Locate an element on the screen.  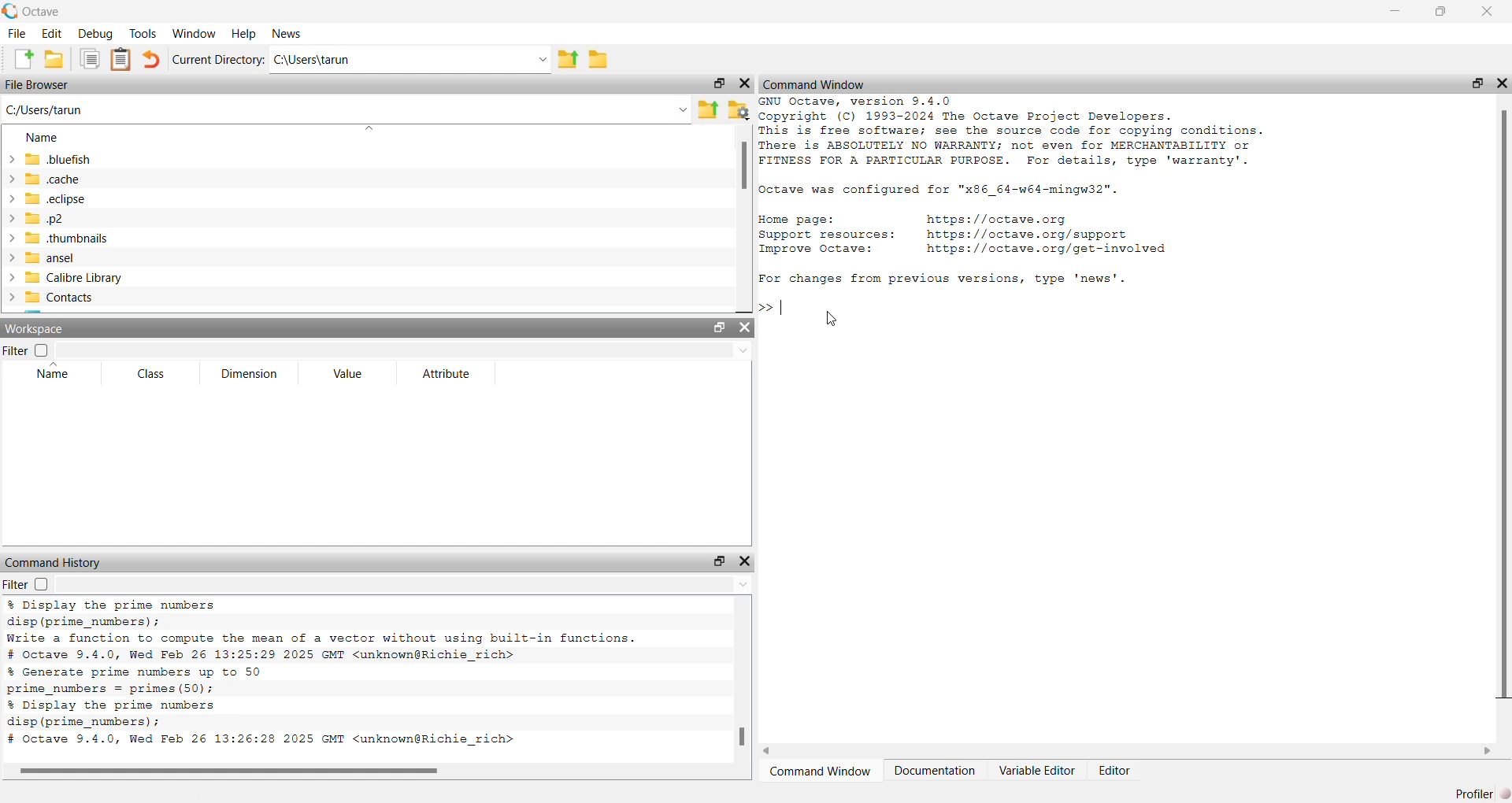
.bluefish is located at coordinates (58, 160).